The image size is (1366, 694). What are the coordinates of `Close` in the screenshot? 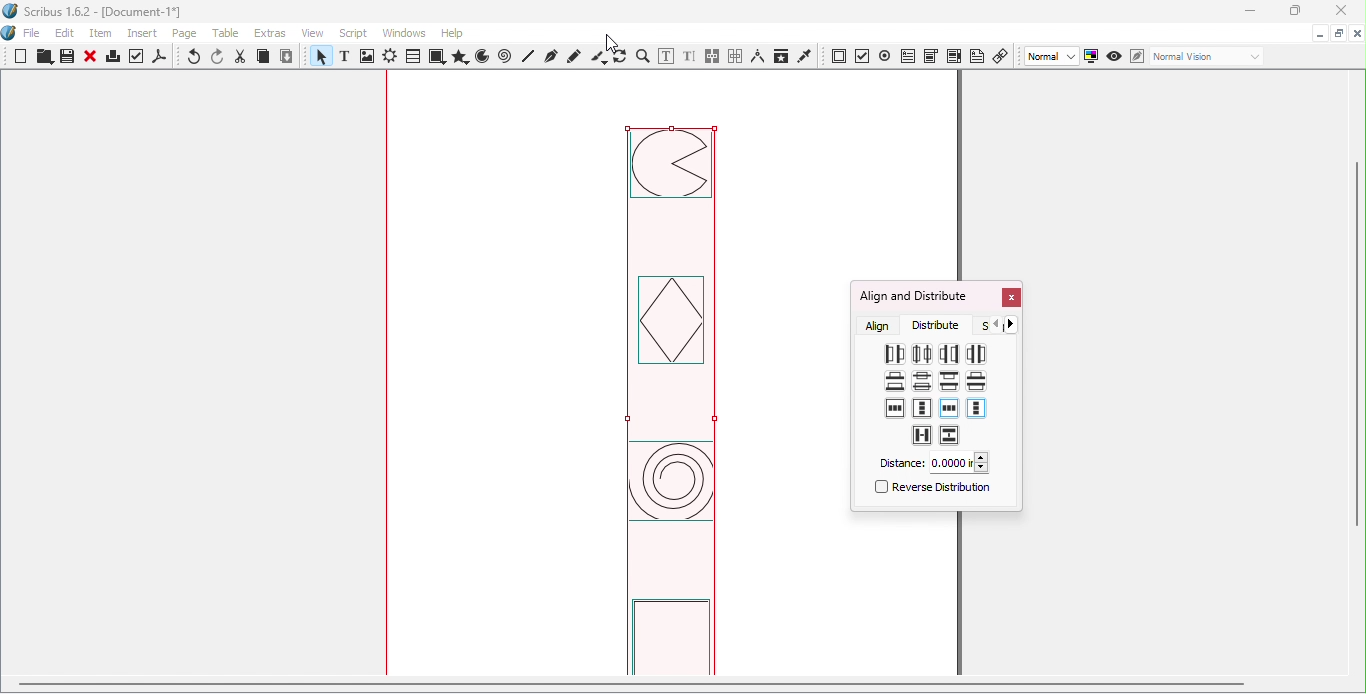 It's located at (90, 58).